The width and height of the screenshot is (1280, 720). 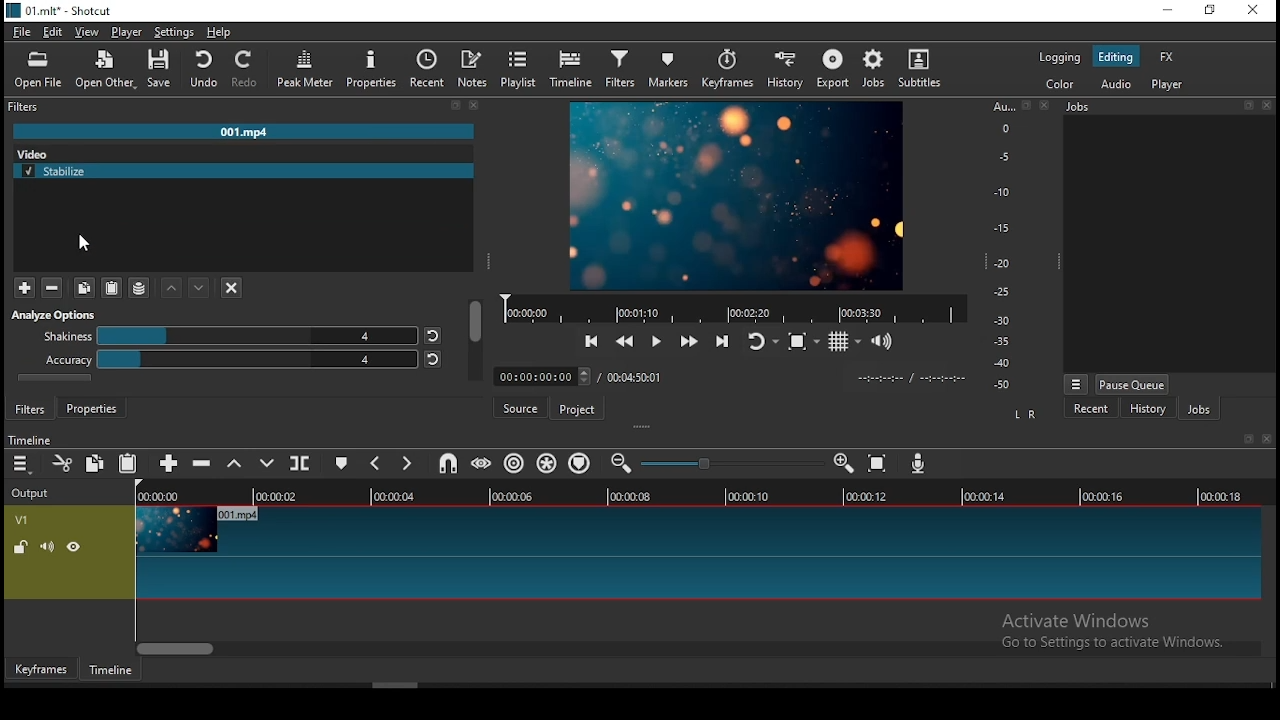 I want to click on Playlist, so click(x=515, y=70).